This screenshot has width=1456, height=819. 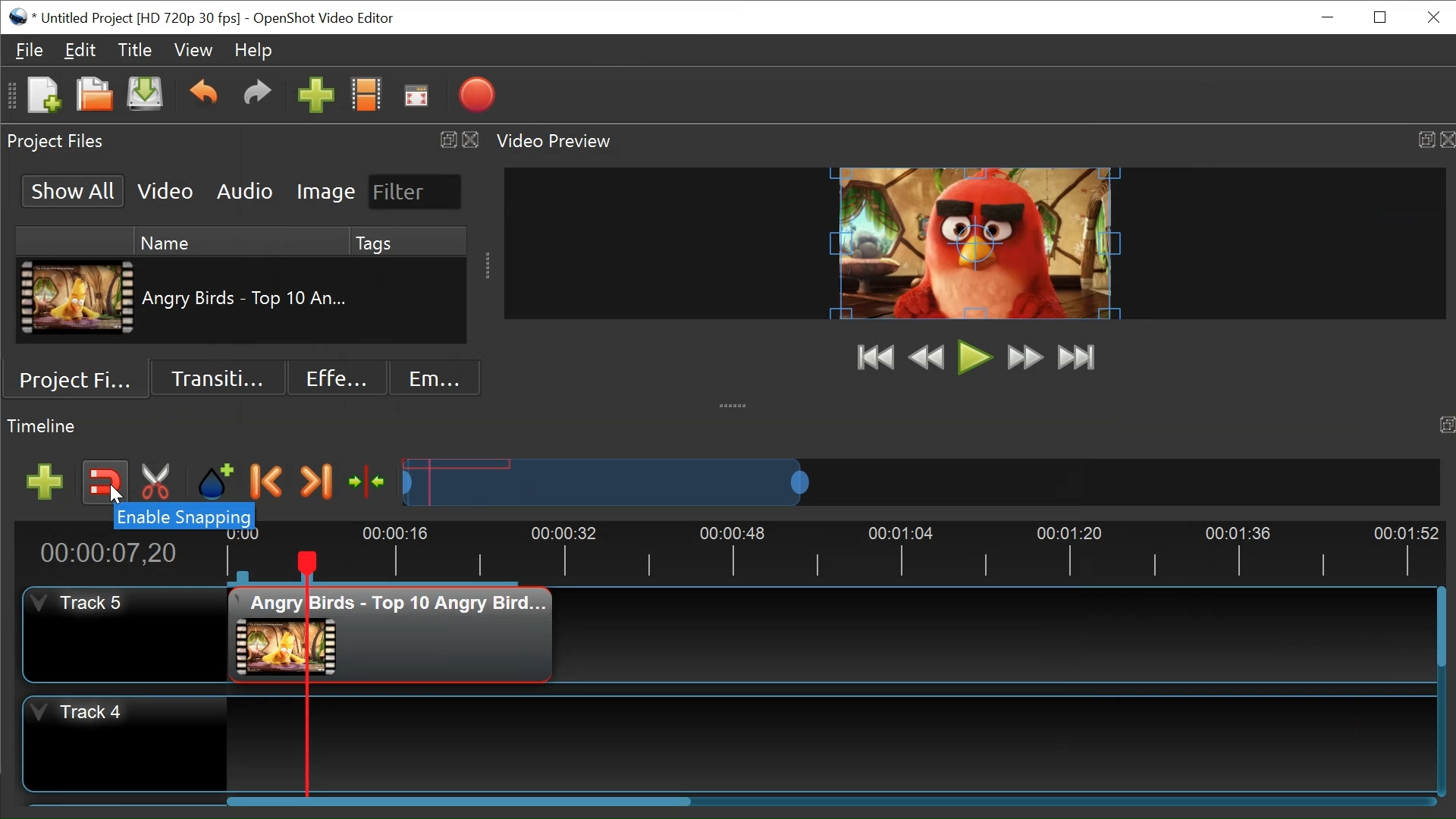 I want to click on Jump to End, so click(x=1079, y=358).